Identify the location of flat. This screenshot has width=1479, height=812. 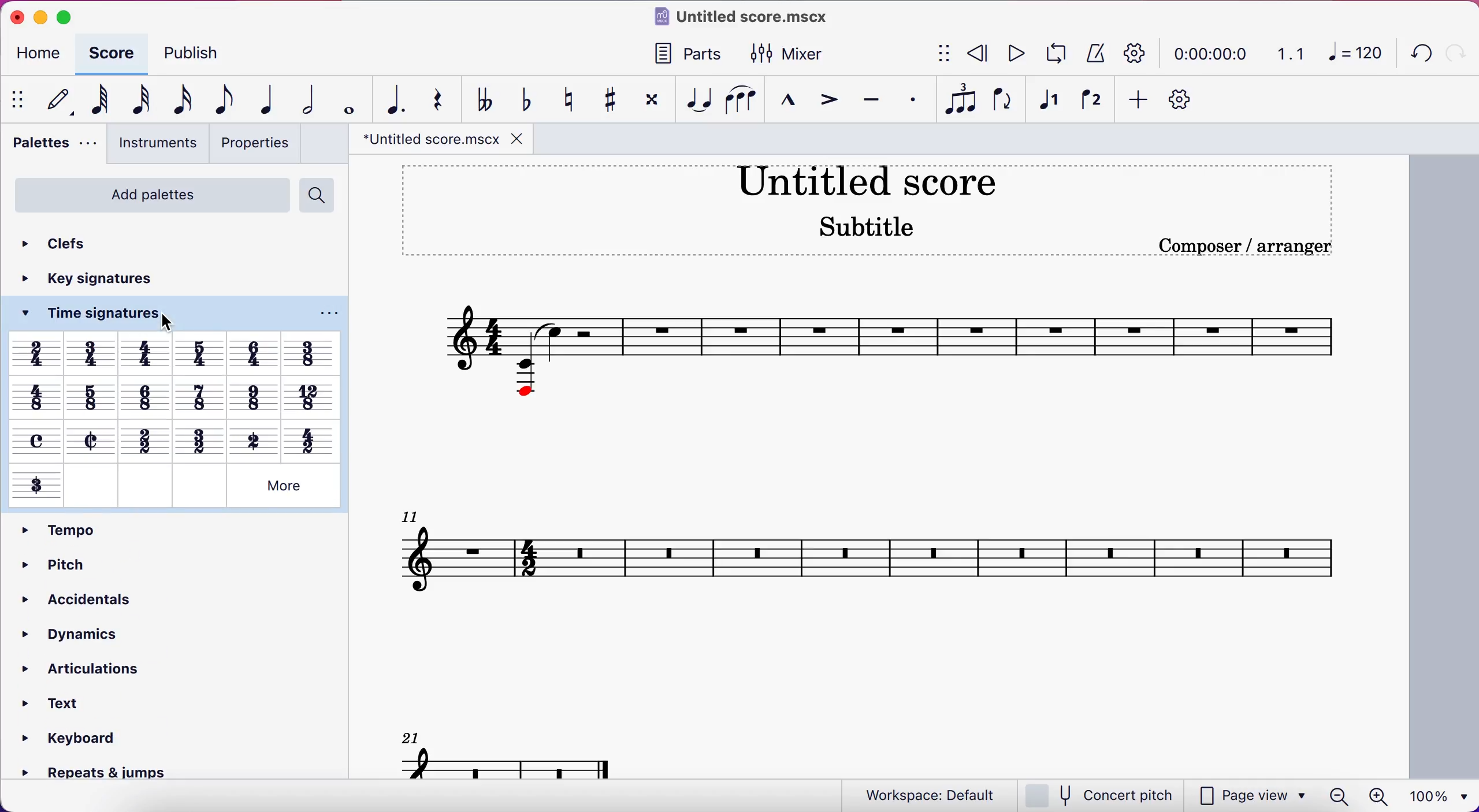
(480, 98).